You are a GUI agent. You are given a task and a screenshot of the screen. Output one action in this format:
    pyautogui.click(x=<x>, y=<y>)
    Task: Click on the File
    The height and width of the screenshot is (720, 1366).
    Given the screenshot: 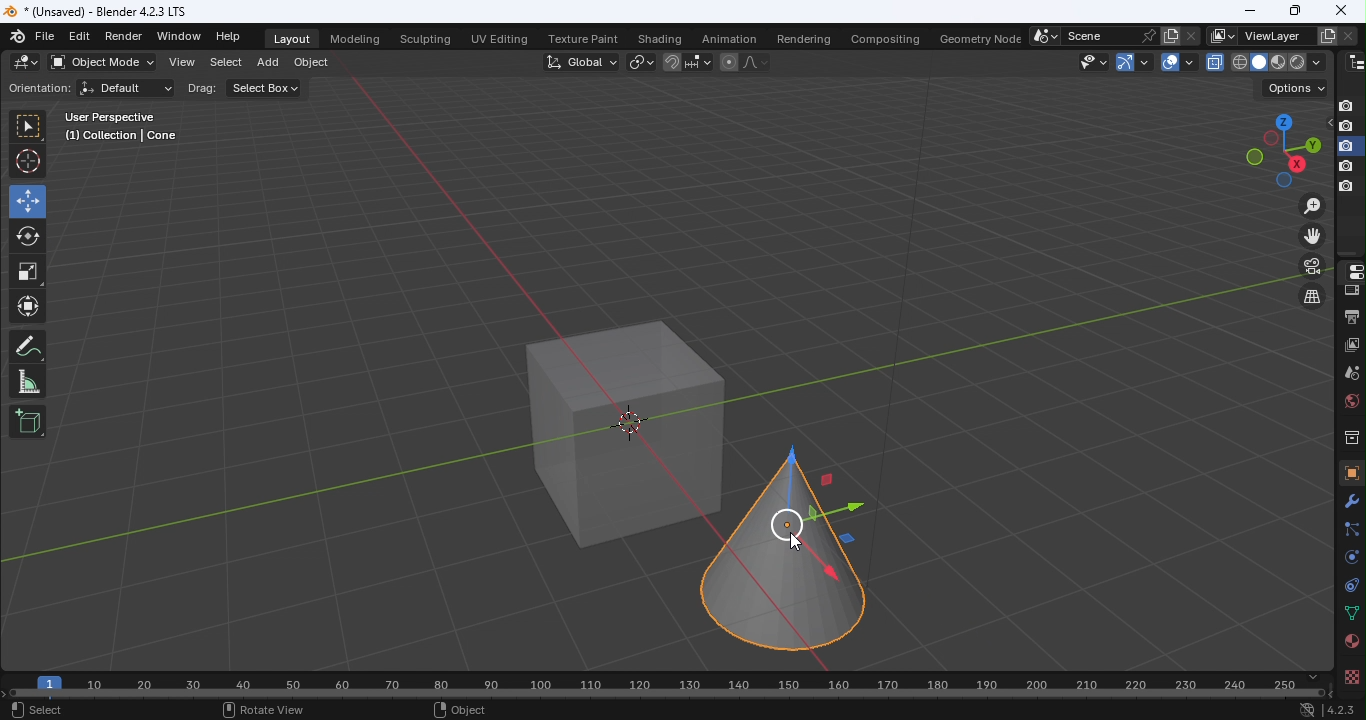 What is the action you would take?
    pyautogui.click(x=46, y=37)
    